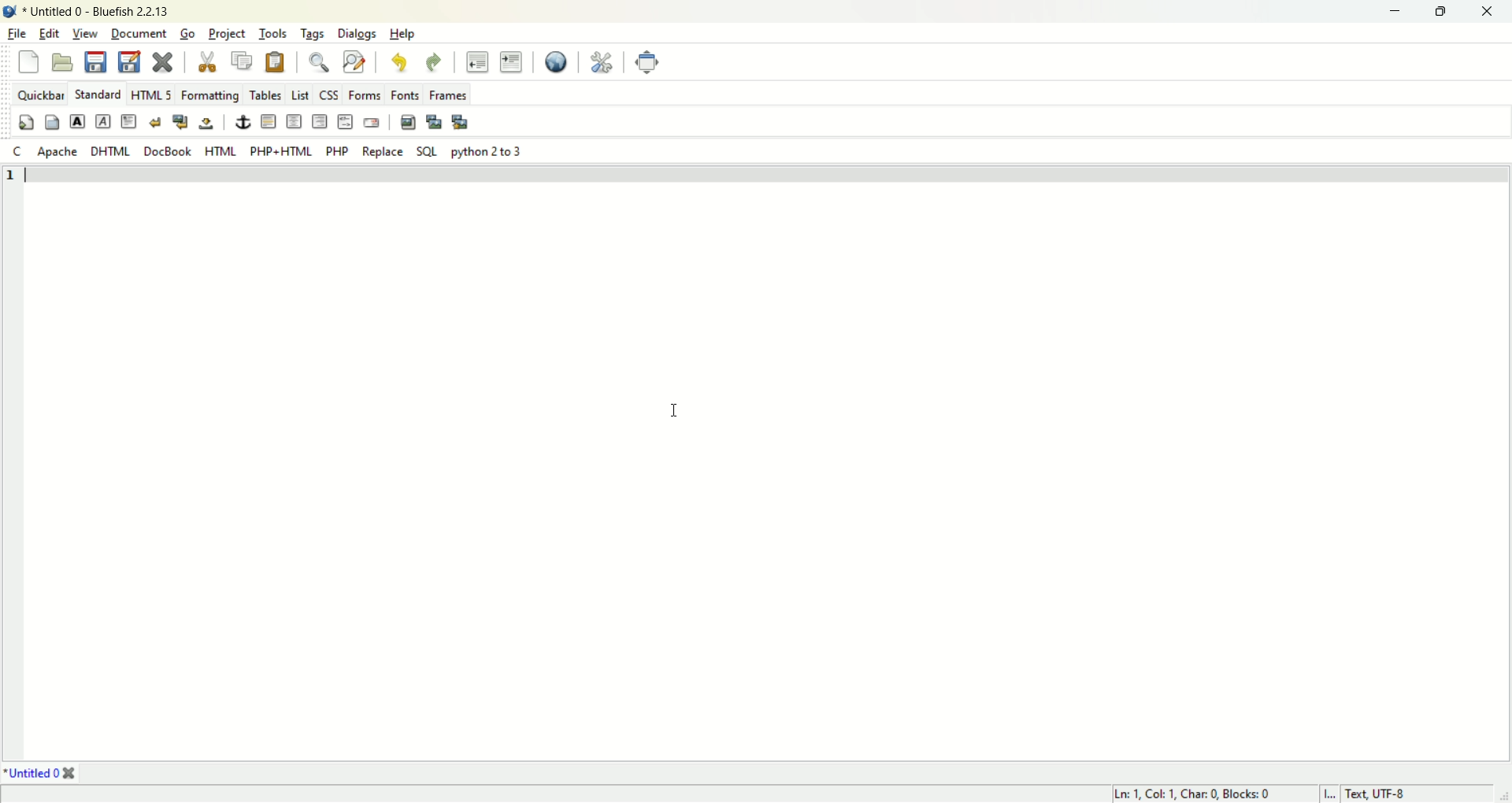 Image resolution: width=1512 pixels, height=803 pixels. I want to click on dialogs, so click(355, 34).